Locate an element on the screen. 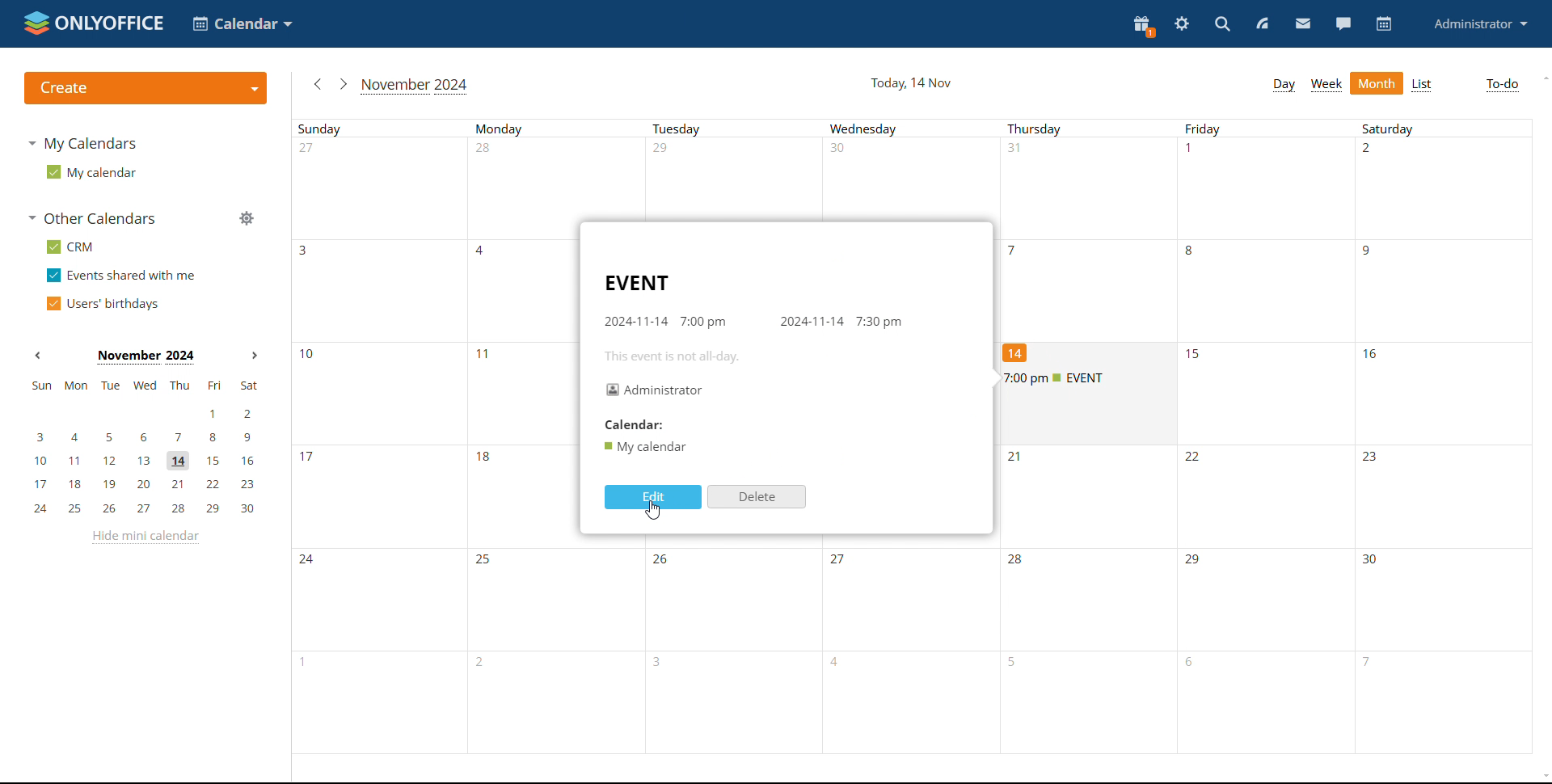  days of a month is located at coordinates (1267, 492).